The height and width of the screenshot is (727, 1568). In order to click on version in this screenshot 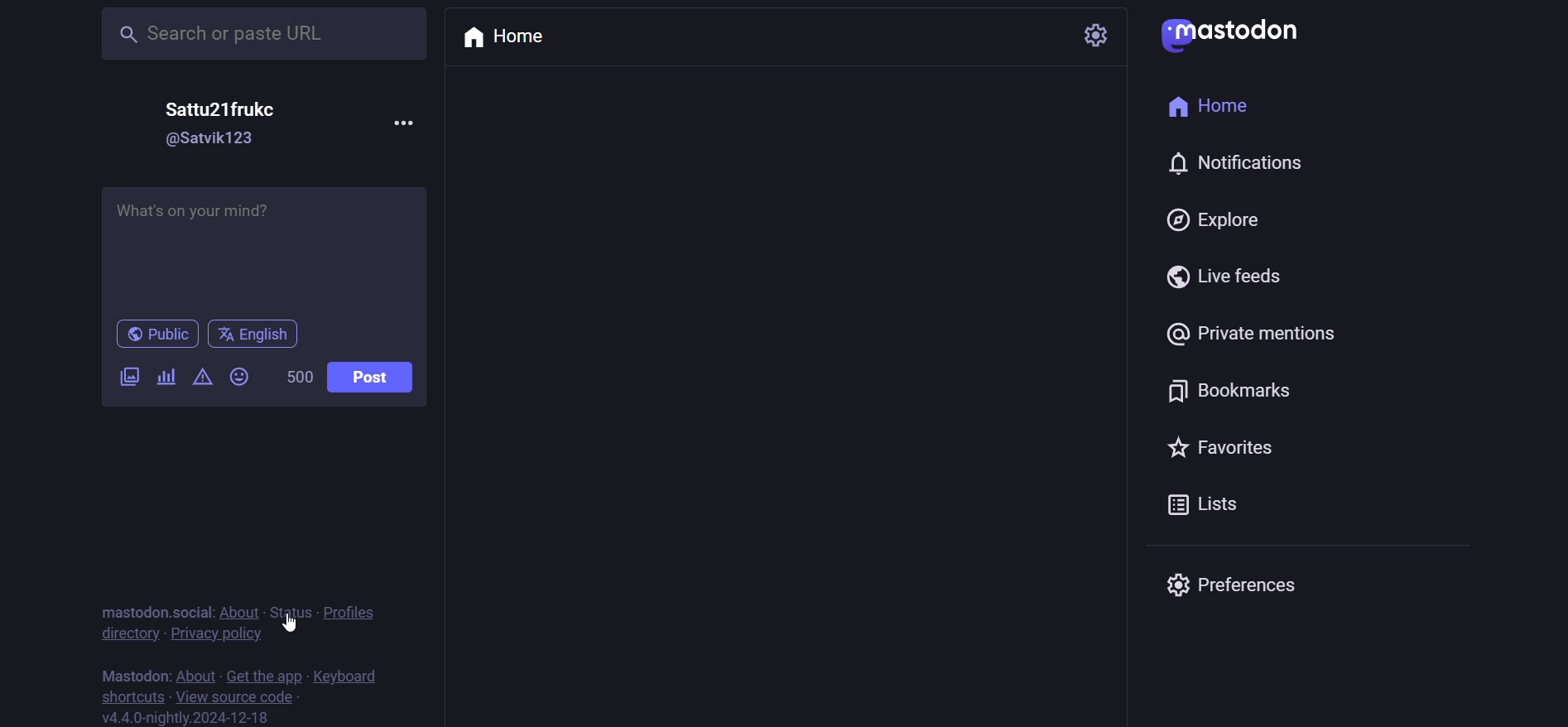, I will do `click(190, 718)`.